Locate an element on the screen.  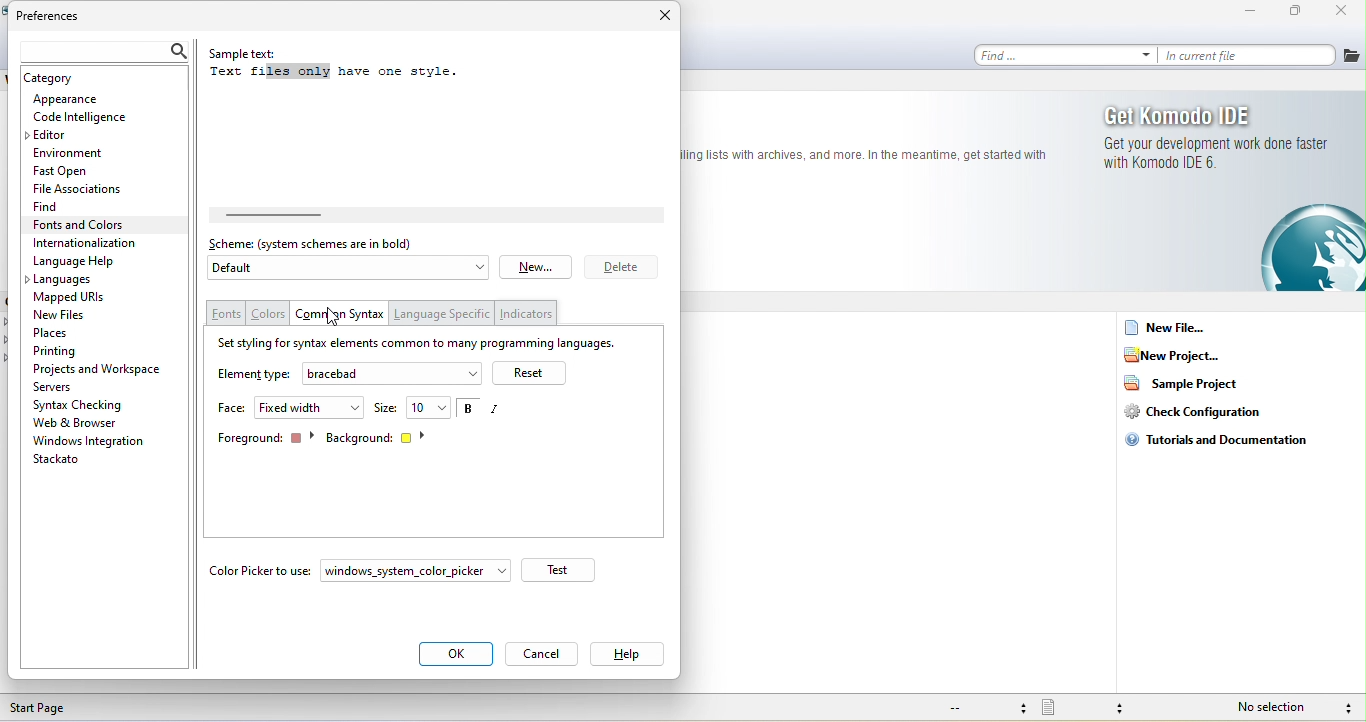
size 10 is located at coordinates (412, 407).